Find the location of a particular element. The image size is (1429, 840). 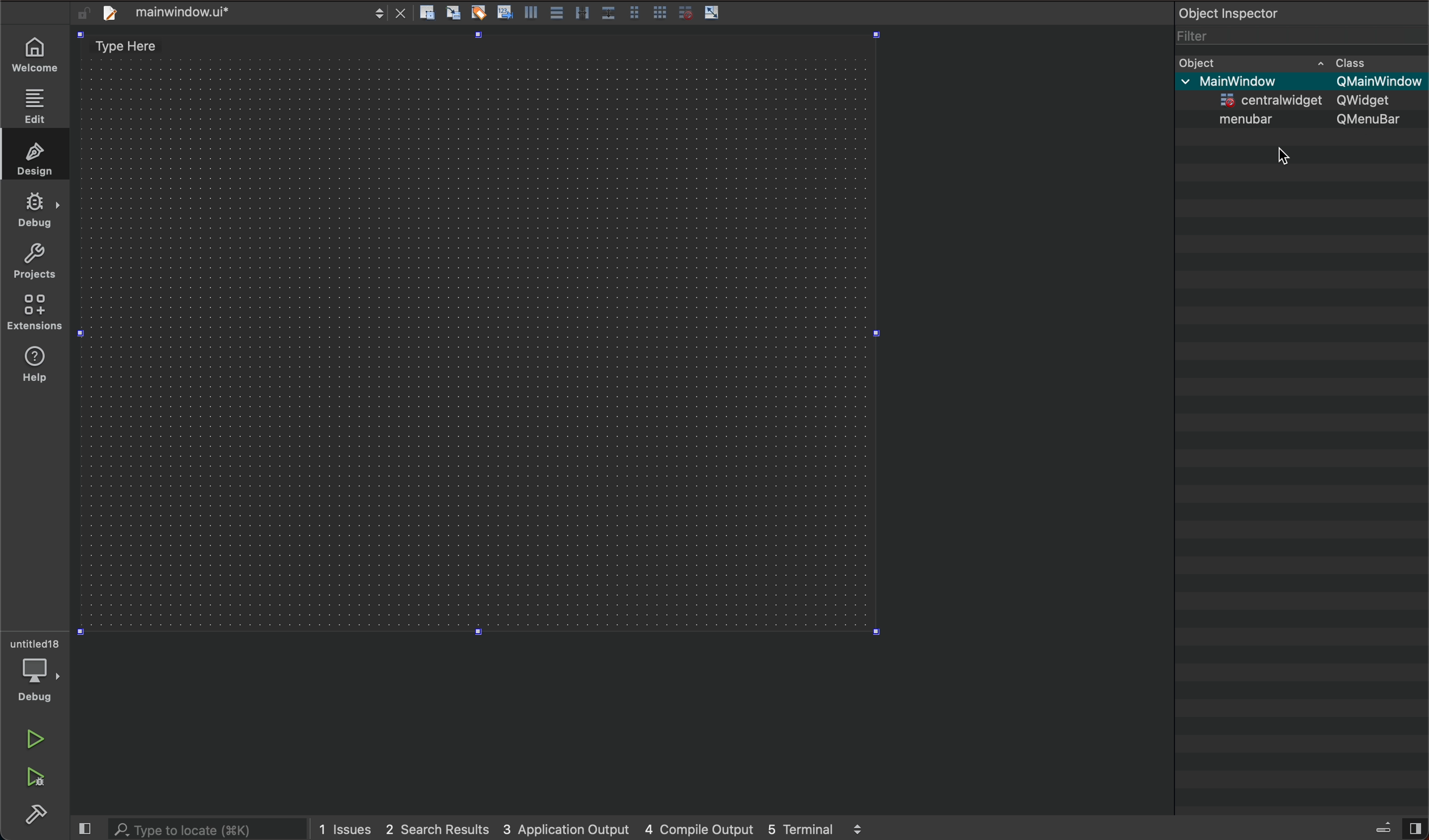

4 couple output is located at coordinates (701, 827).